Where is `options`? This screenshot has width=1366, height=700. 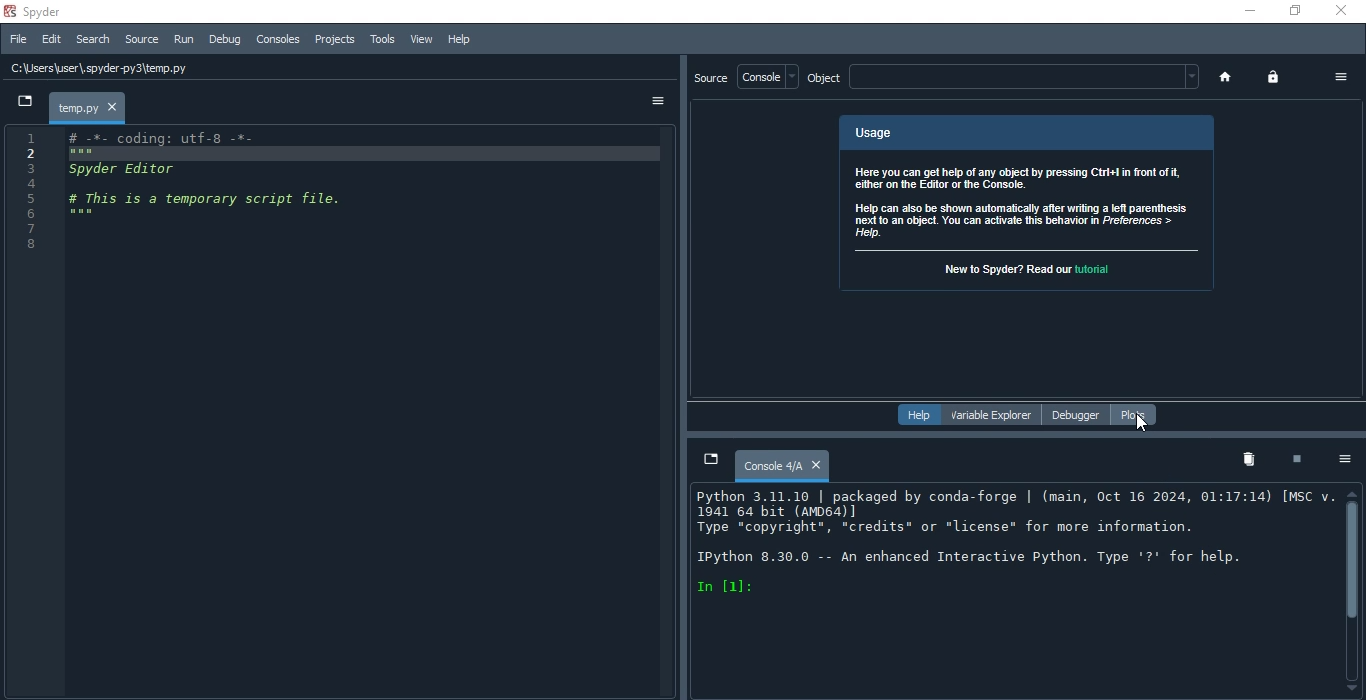
options is located at coordinates (1346, 461).